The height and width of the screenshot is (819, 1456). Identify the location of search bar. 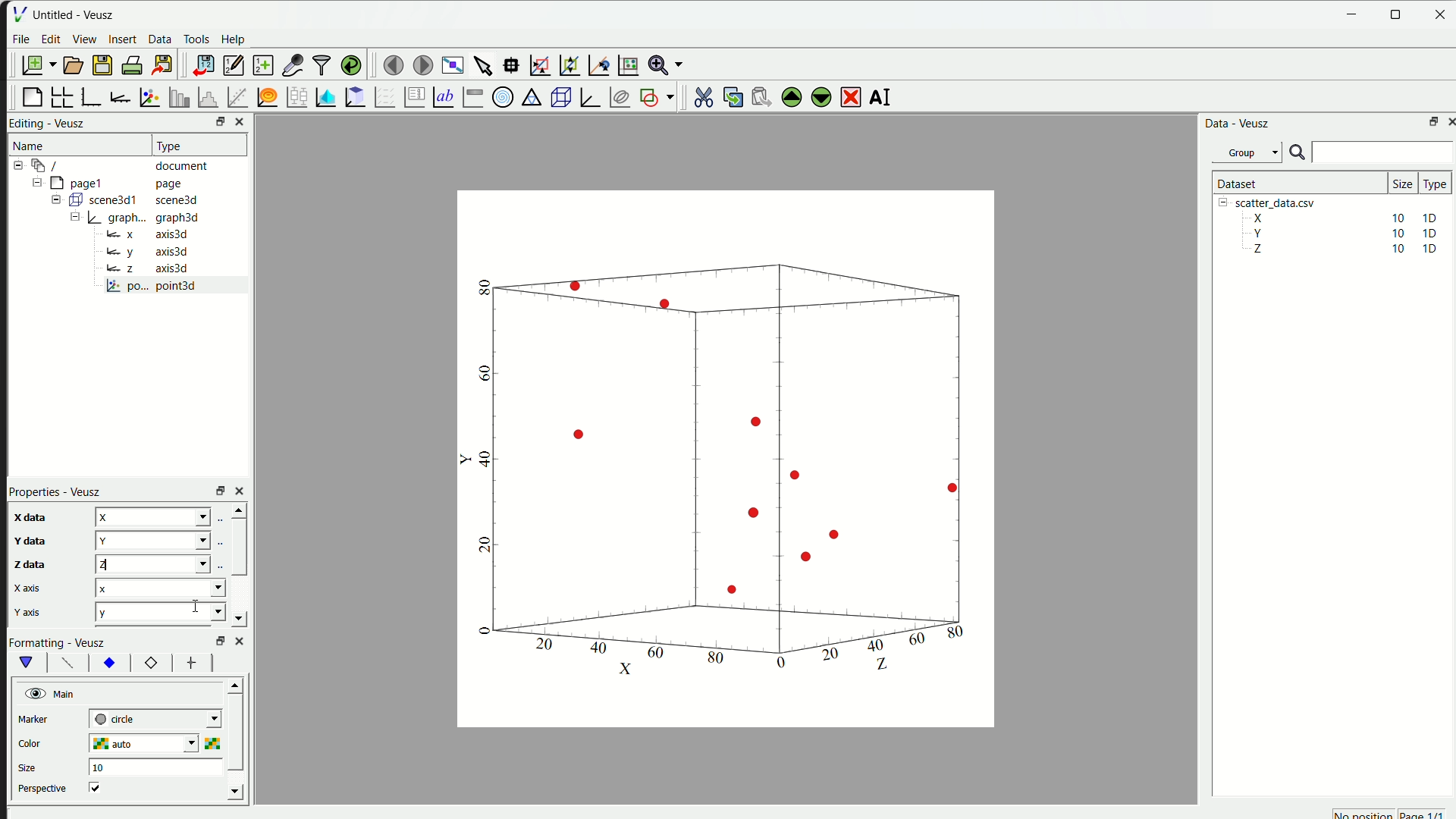
(1385, 152).